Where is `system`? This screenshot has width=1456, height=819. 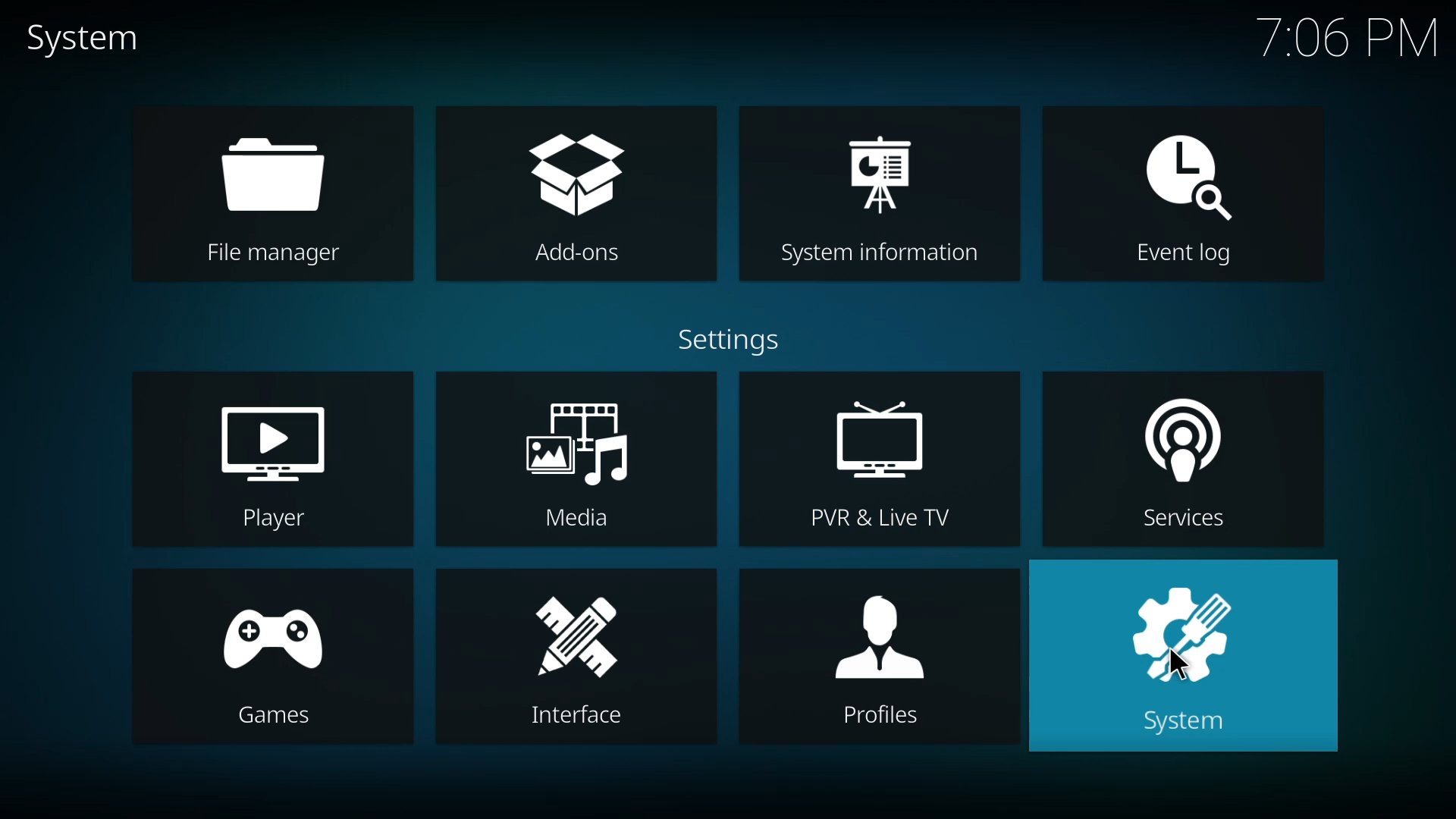
system is located at coordinates (1184, 657).